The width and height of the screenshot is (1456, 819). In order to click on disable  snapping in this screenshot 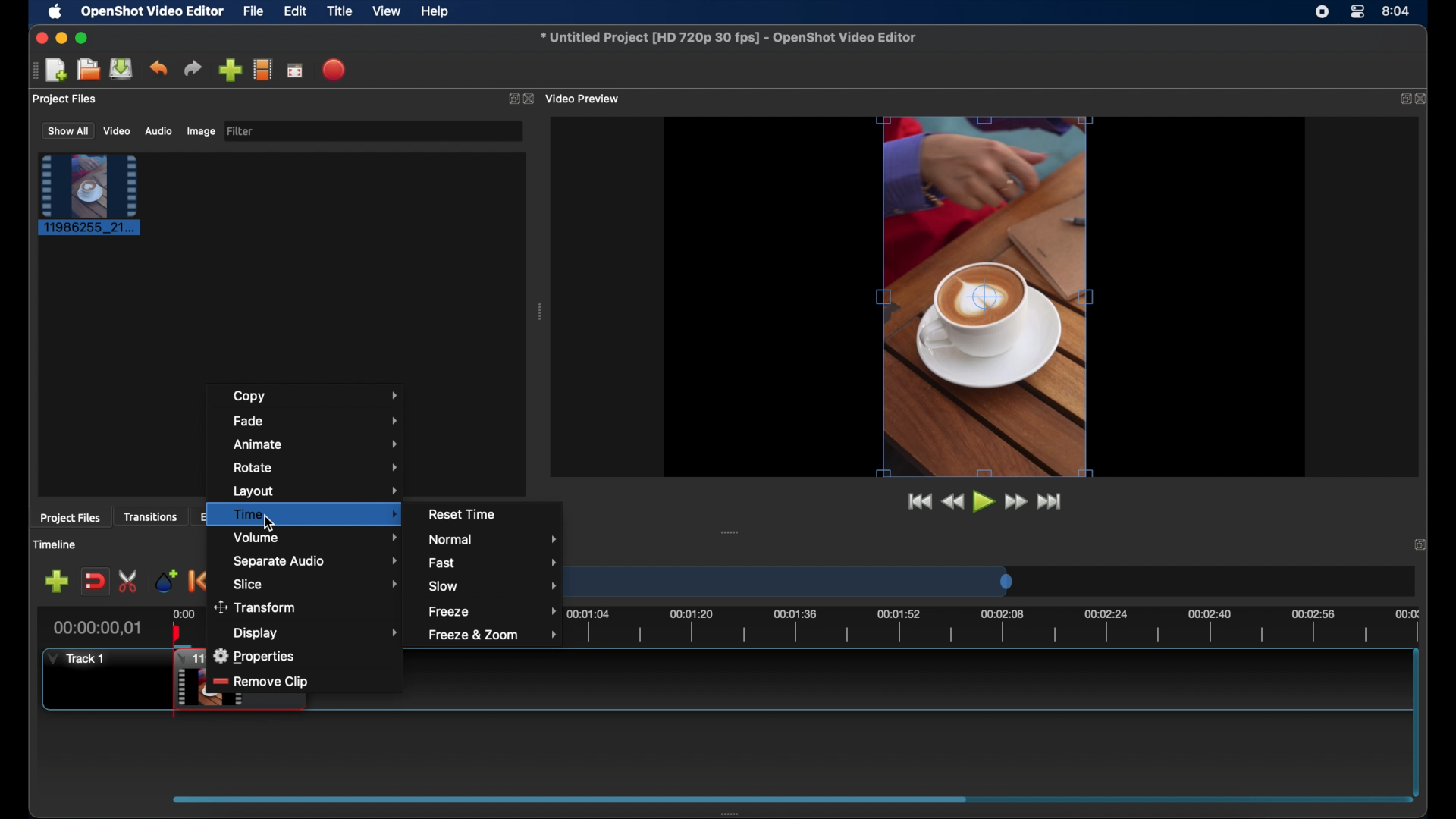, I will do `click(94, 580)`.